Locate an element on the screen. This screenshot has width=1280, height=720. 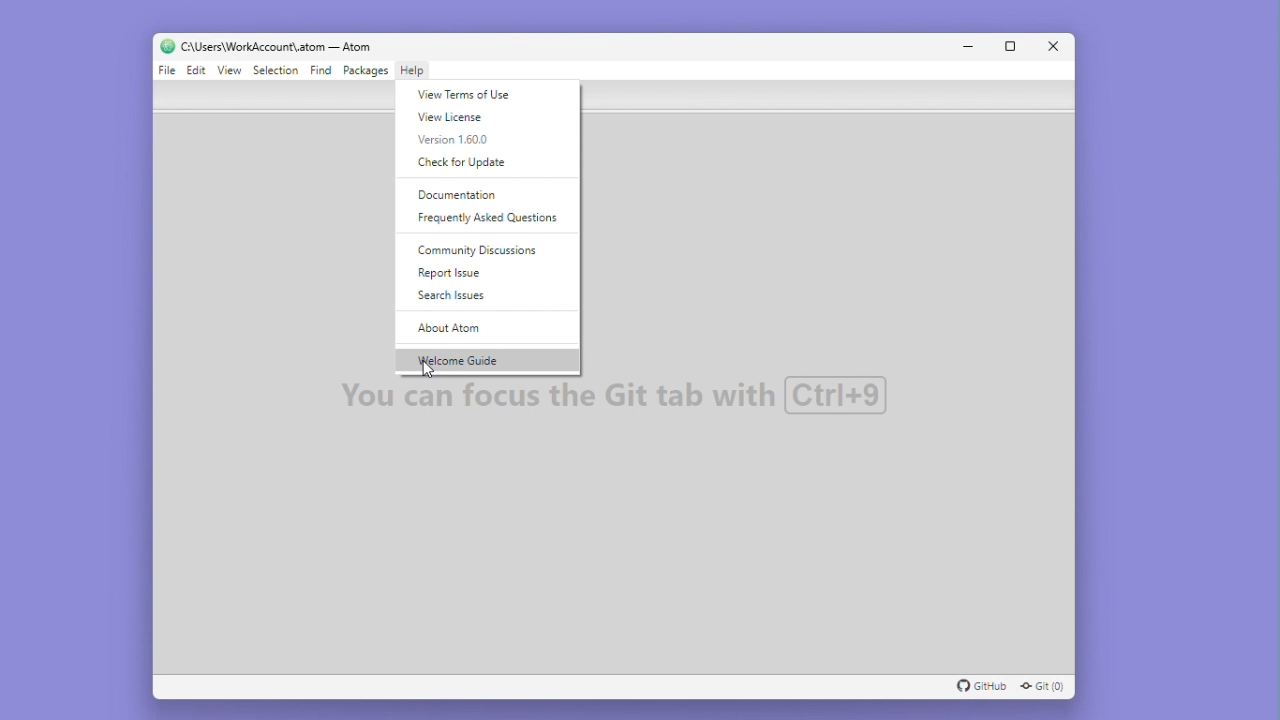
File is located at coordinates (168, 73).